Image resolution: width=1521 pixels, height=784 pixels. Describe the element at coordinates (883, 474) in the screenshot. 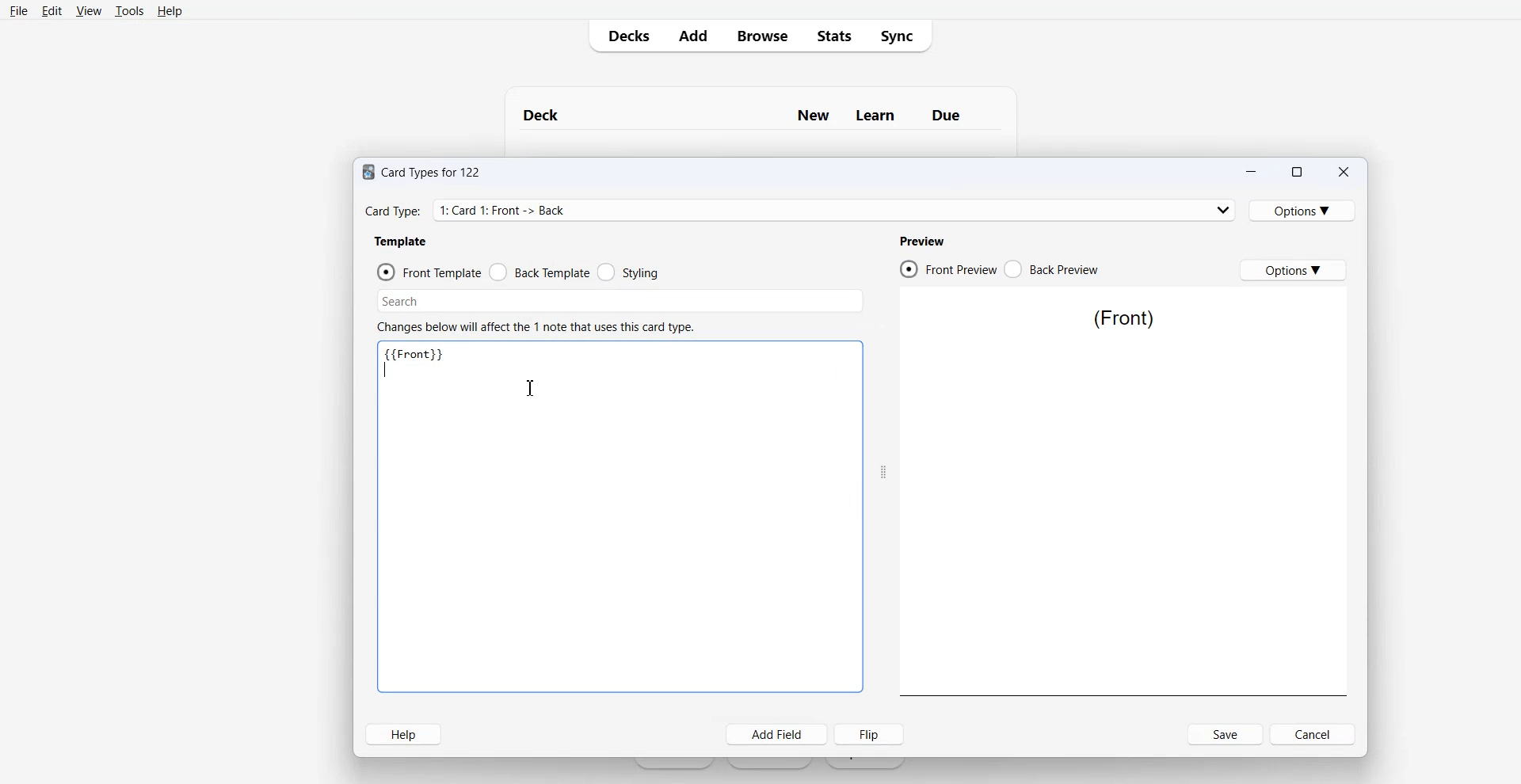

I see `Drag Handle` at that location.